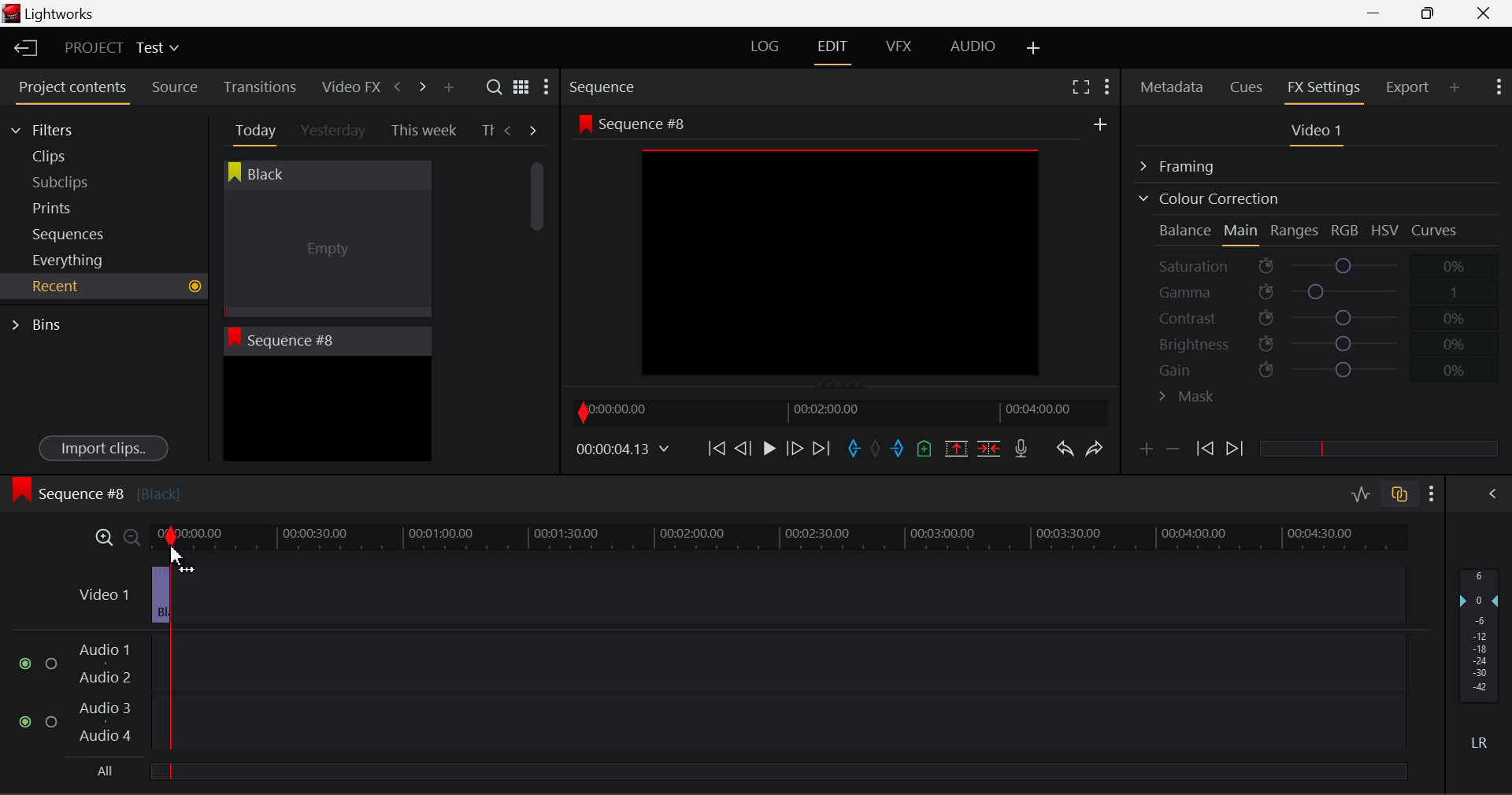 Image resolution: width=1512 pixels, height=795 pixels. Describe the element at coordinates (260, 87) in the screenshot. I see `Transitions` at that location.